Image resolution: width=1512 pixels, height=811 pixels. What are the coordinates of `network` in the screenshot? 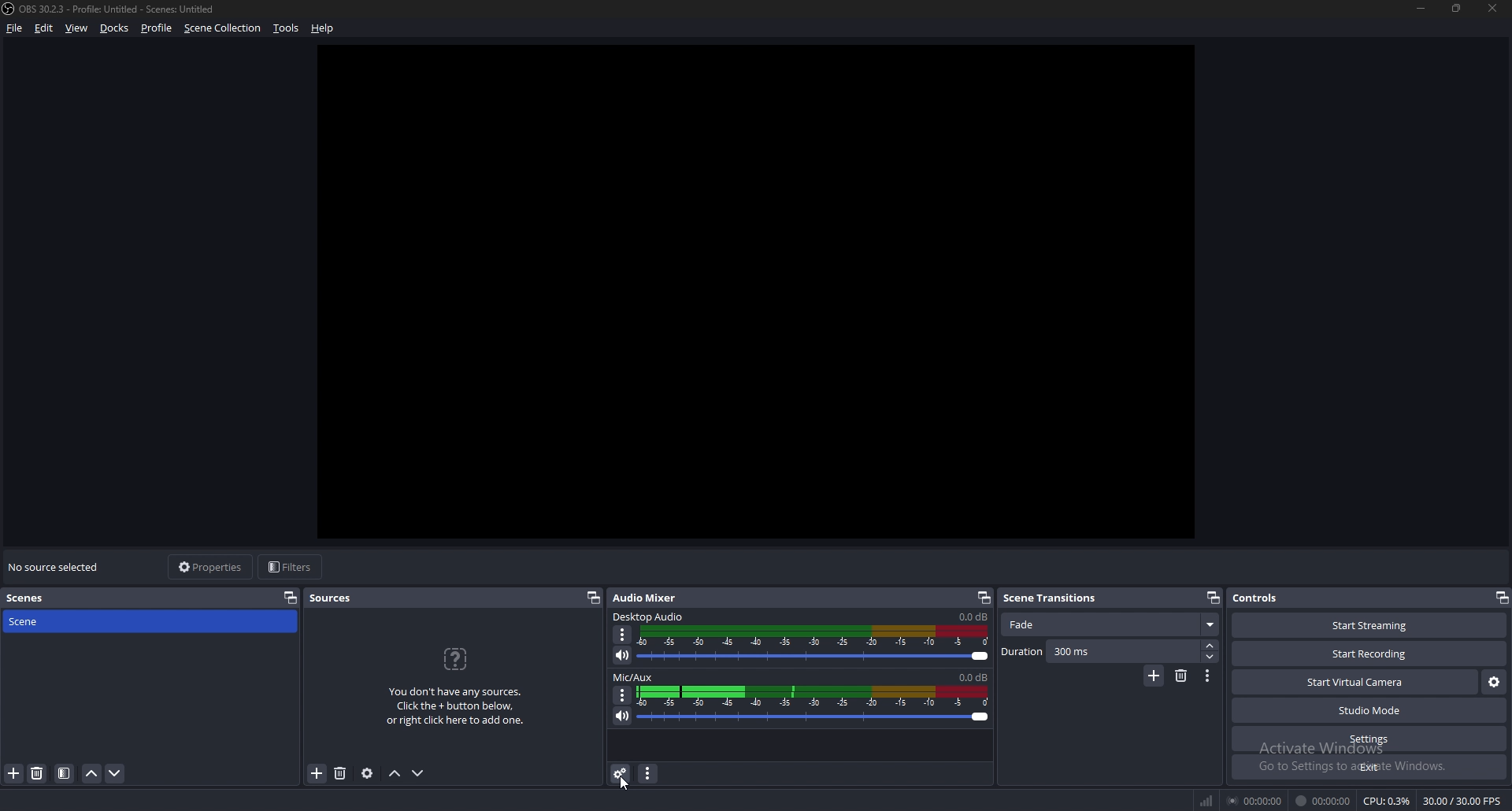 It's located at (1209, 798).